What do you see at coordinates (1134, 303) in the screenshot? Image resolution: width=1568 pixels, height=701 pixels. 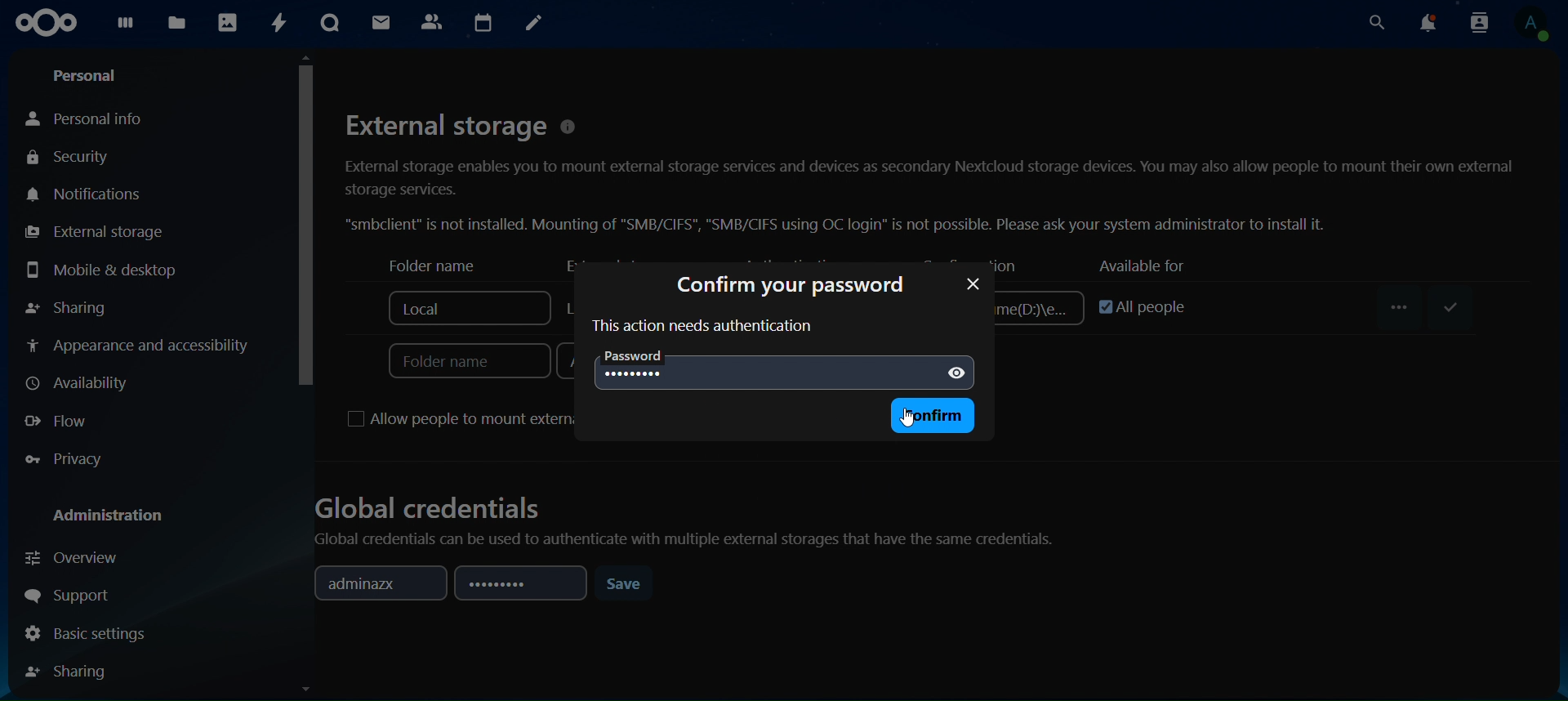 I see `all people` at bounding box center [1134, 303].